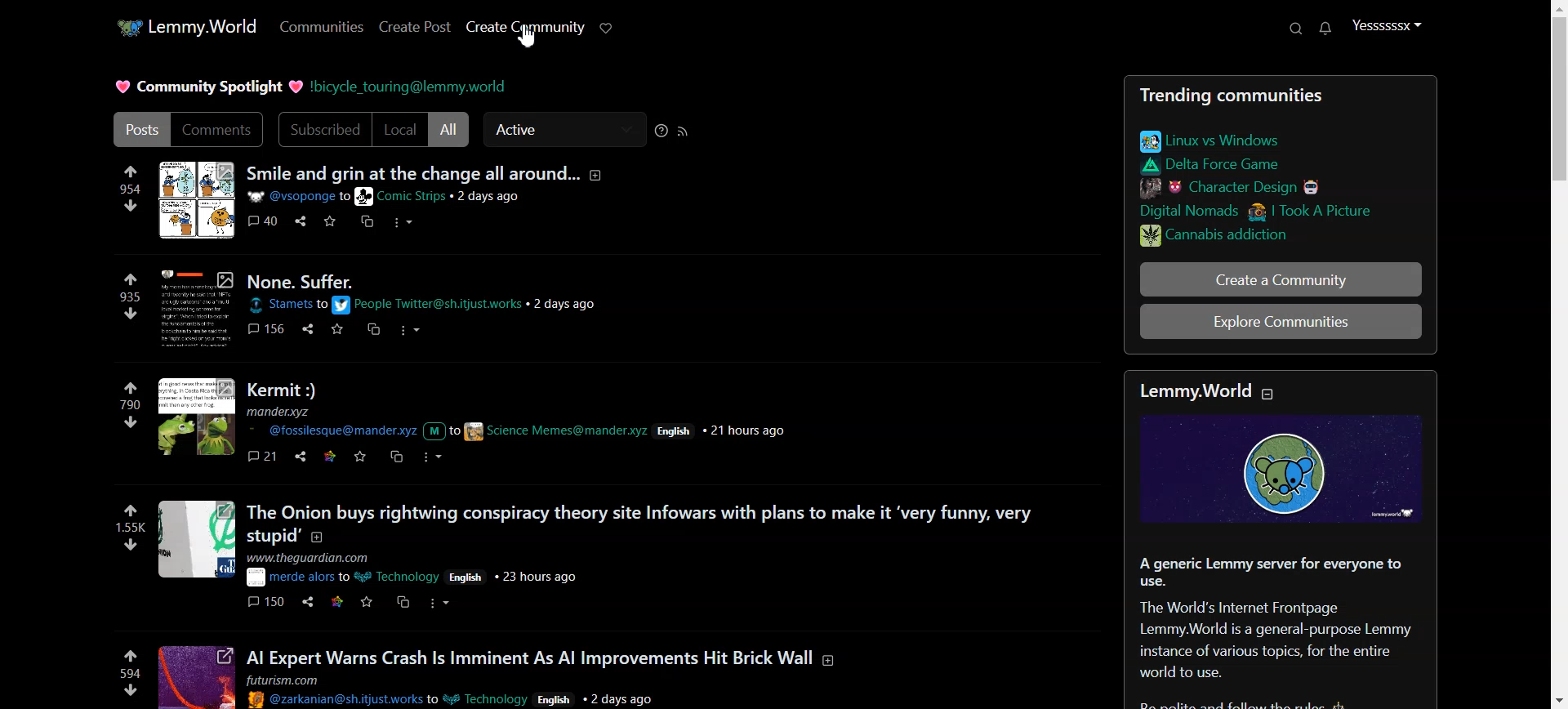  What do you see at coordinates (332, 221) in the screenshot?
I see `saved` at bounding box center [332, 221].